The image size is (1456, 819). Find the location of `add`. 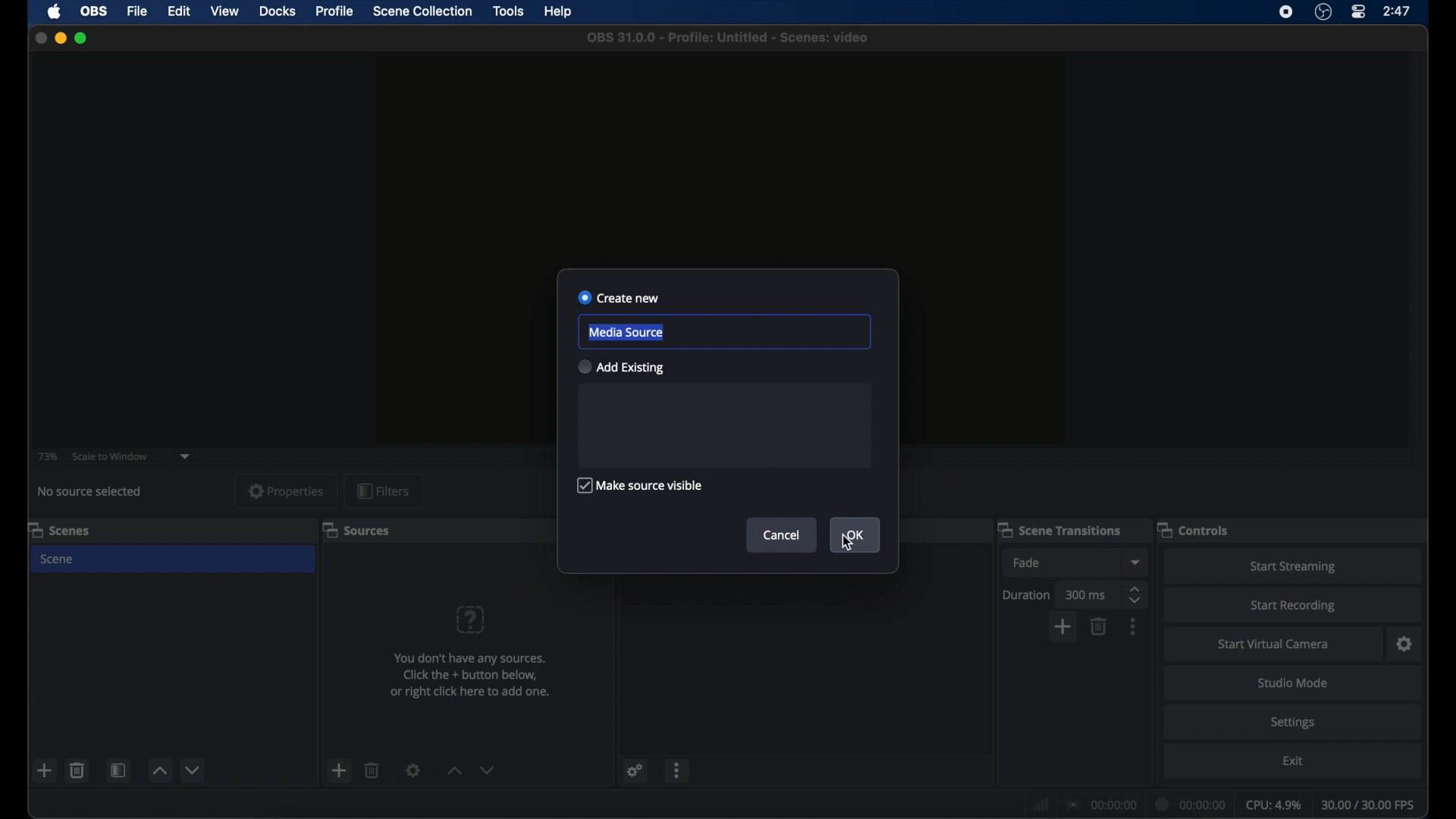

add is located at coordinates (45, 770).